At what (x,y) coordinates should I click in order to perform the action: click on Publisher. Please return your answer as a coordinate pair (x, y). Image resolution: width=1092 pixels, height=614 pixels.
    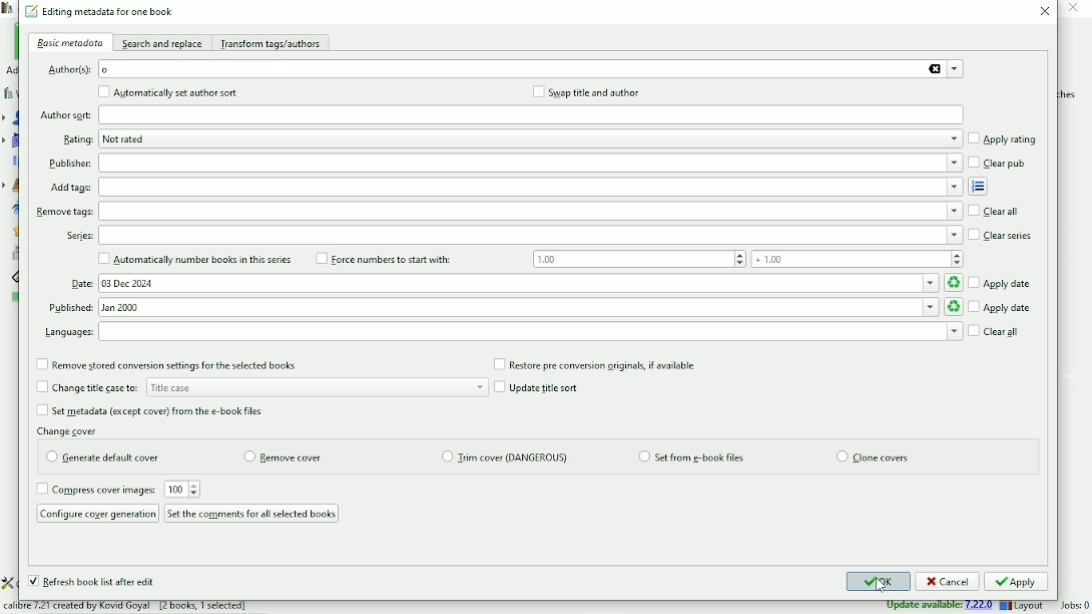
    Looking at the image, I should click on (68, 164).